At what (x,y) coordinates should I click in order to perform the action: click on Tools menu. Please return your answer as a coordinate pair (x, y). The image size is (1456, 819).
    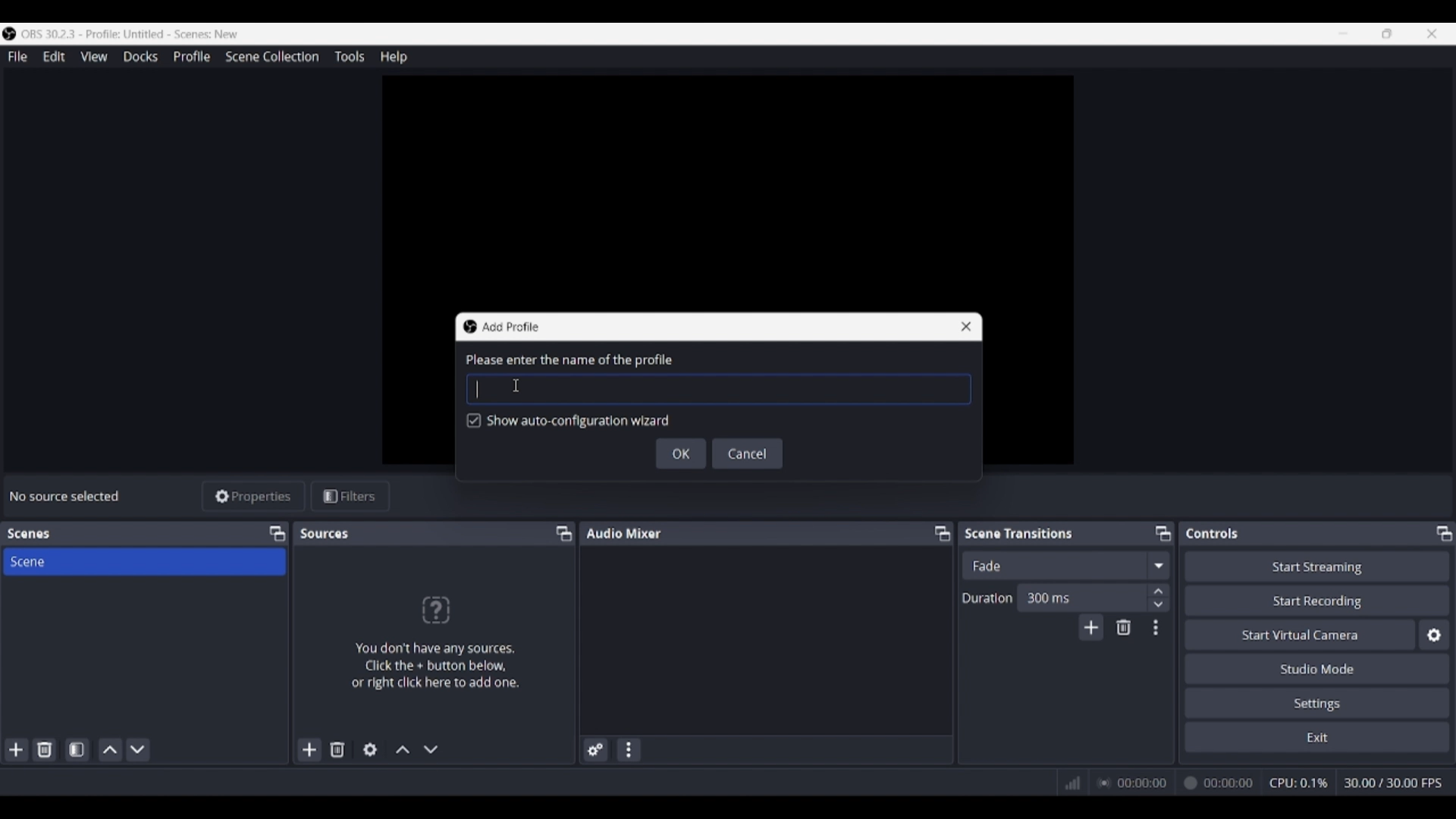
    Looking at the image, I should click on (349, 56).